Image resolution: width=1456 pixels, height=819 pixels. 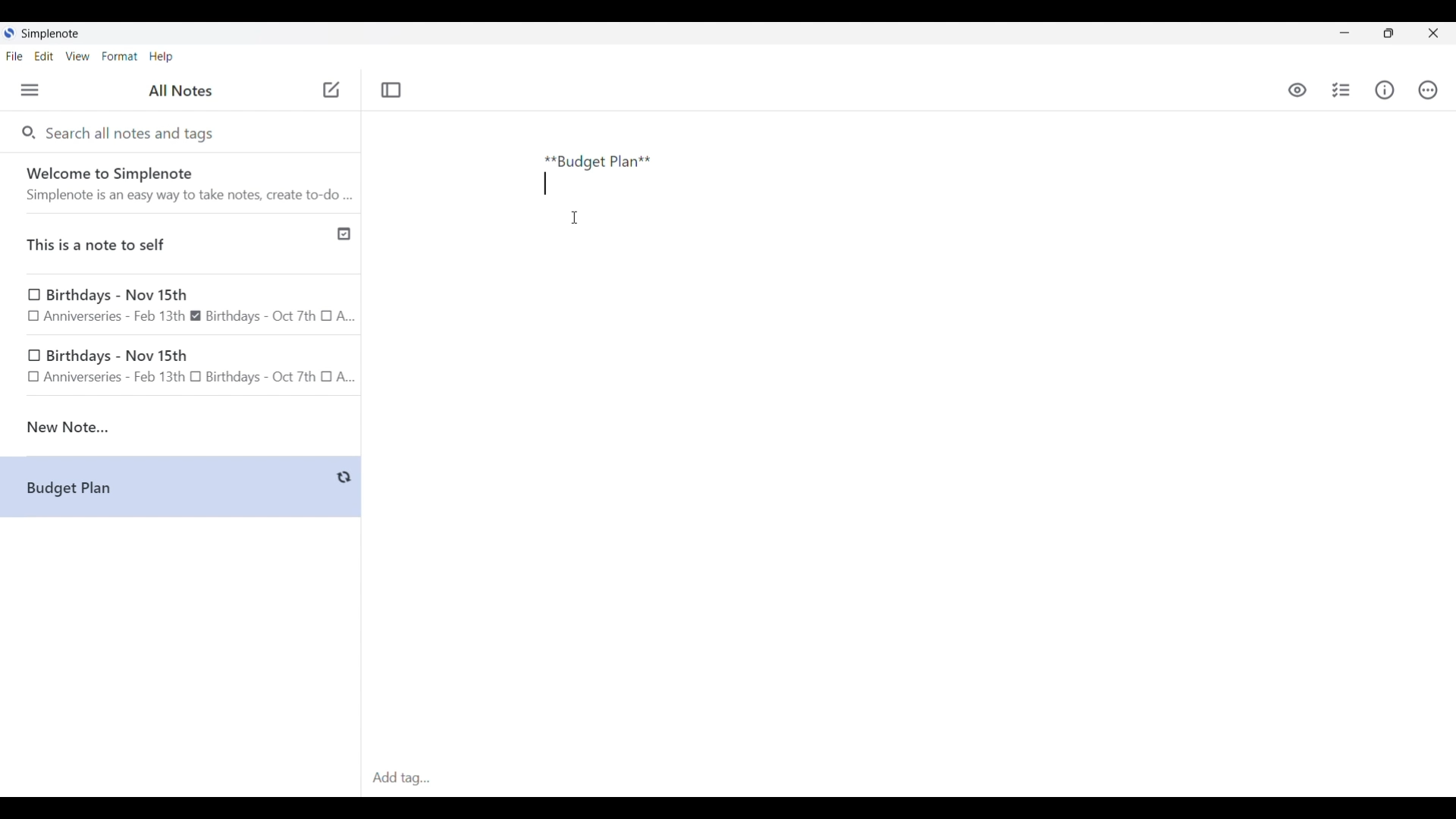 I want to click on Menu, so click(x=30, y=89).